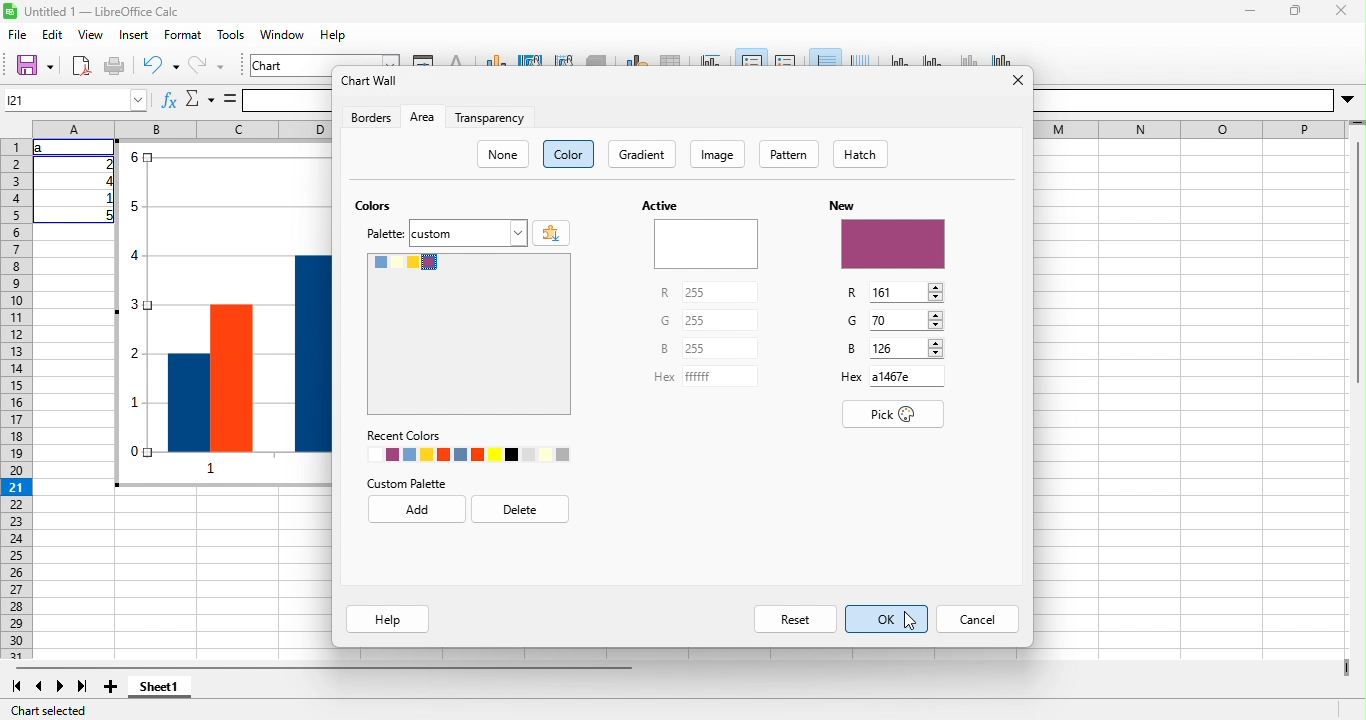  Describe the element at coordinates (789, 154) in the screenshot. I see `pattern` at that location.